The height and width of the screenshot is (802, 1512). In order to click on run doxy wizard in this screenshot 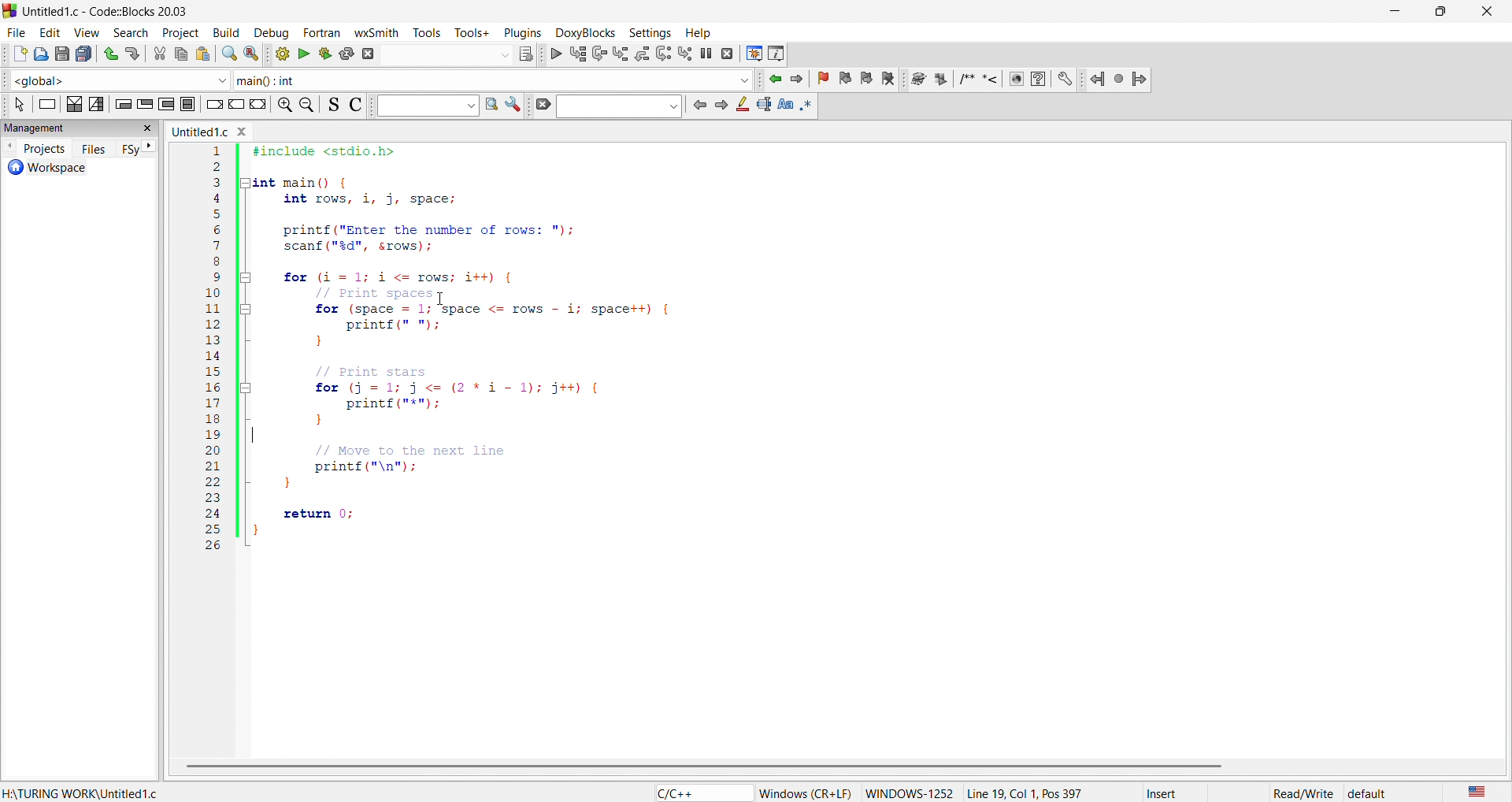, I will do `click(917, 79)`.